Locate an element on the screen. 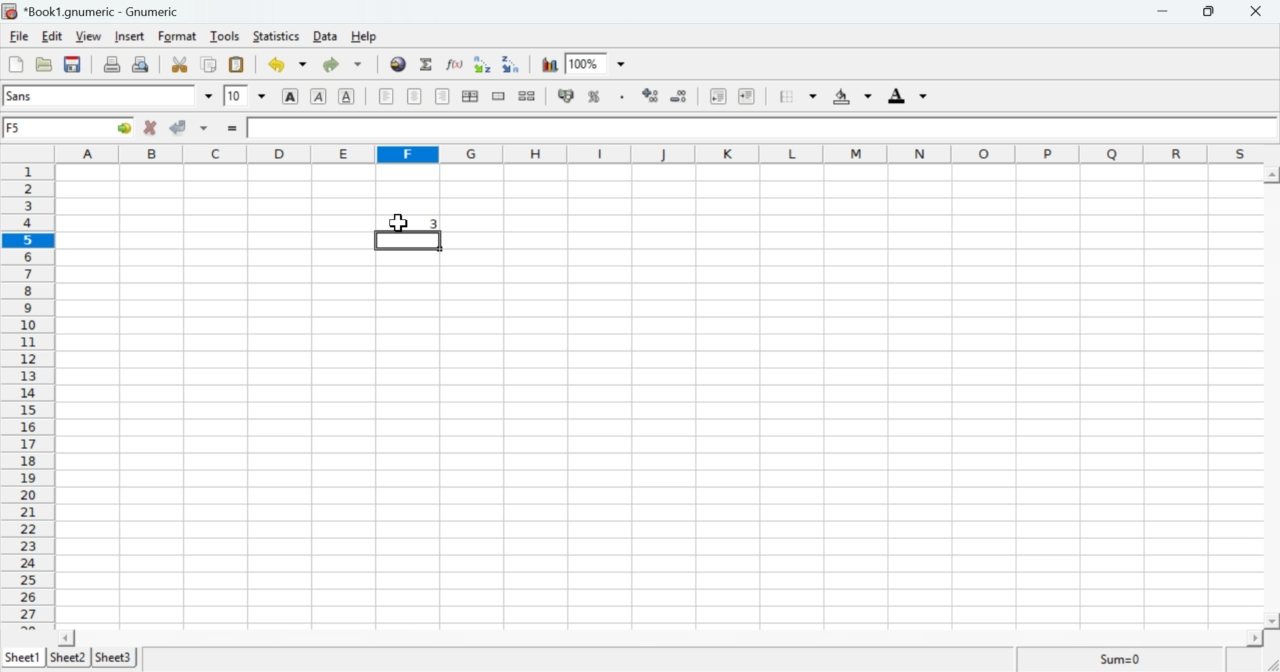  Undo is located at coordinates (279, 64).